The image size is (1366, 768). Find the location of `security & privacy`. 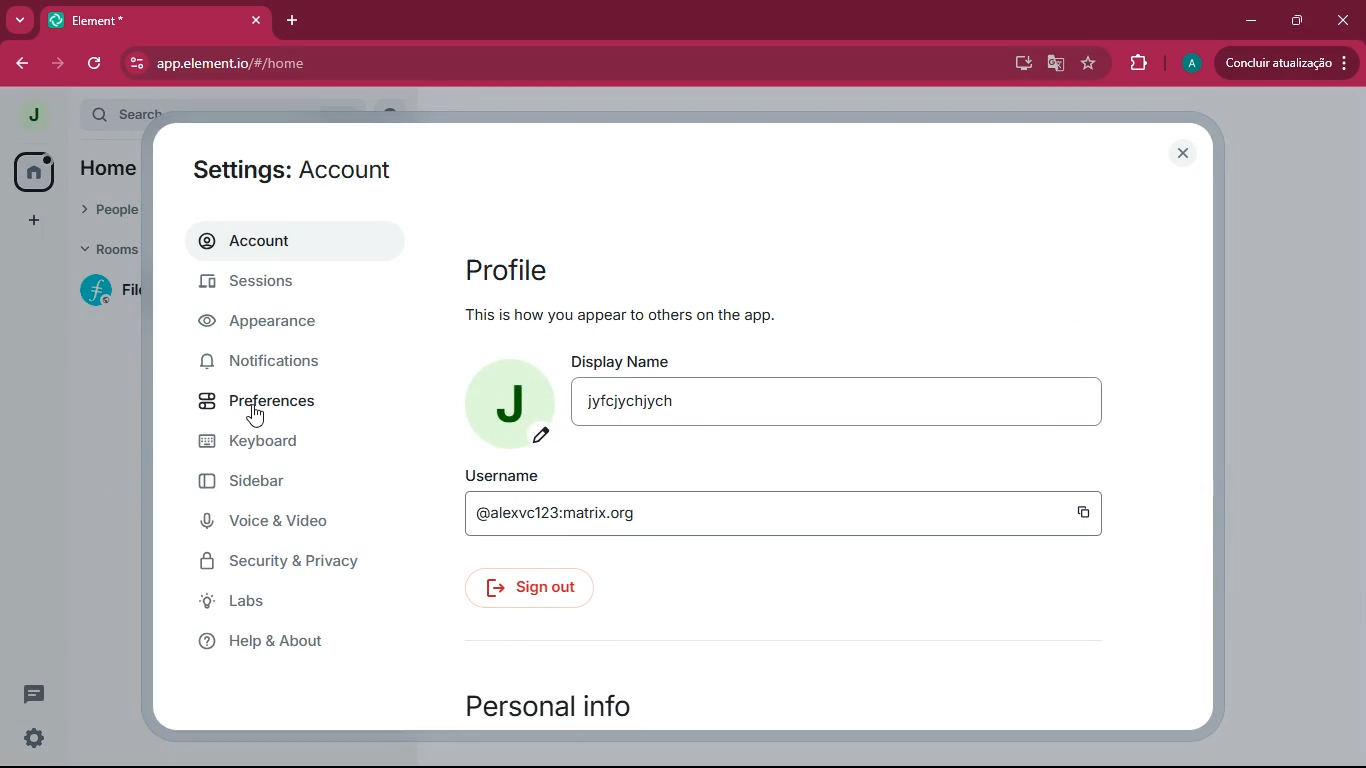

security & privacy is located at coordinates (283, 562).